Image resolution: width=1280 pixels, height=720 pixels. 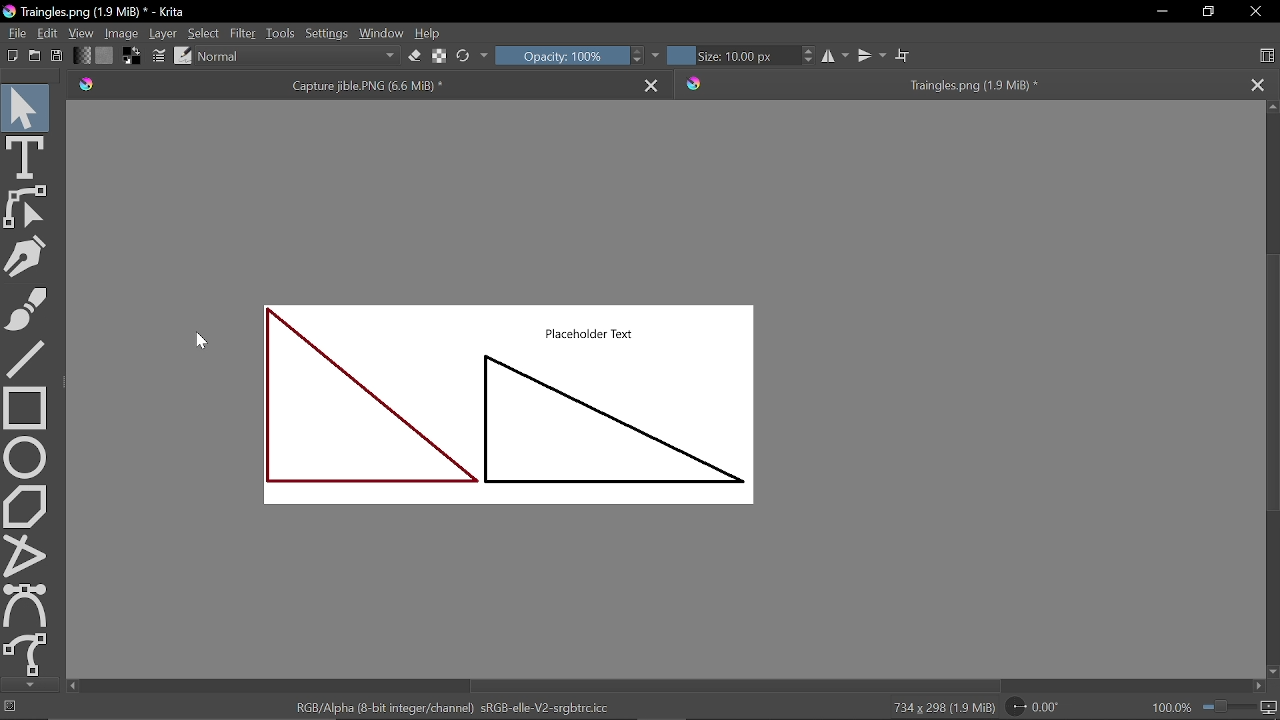 What do you see at coordinates (653, 85) in the screenshot?
I see `Close tab` at bounding box center [653, 85].